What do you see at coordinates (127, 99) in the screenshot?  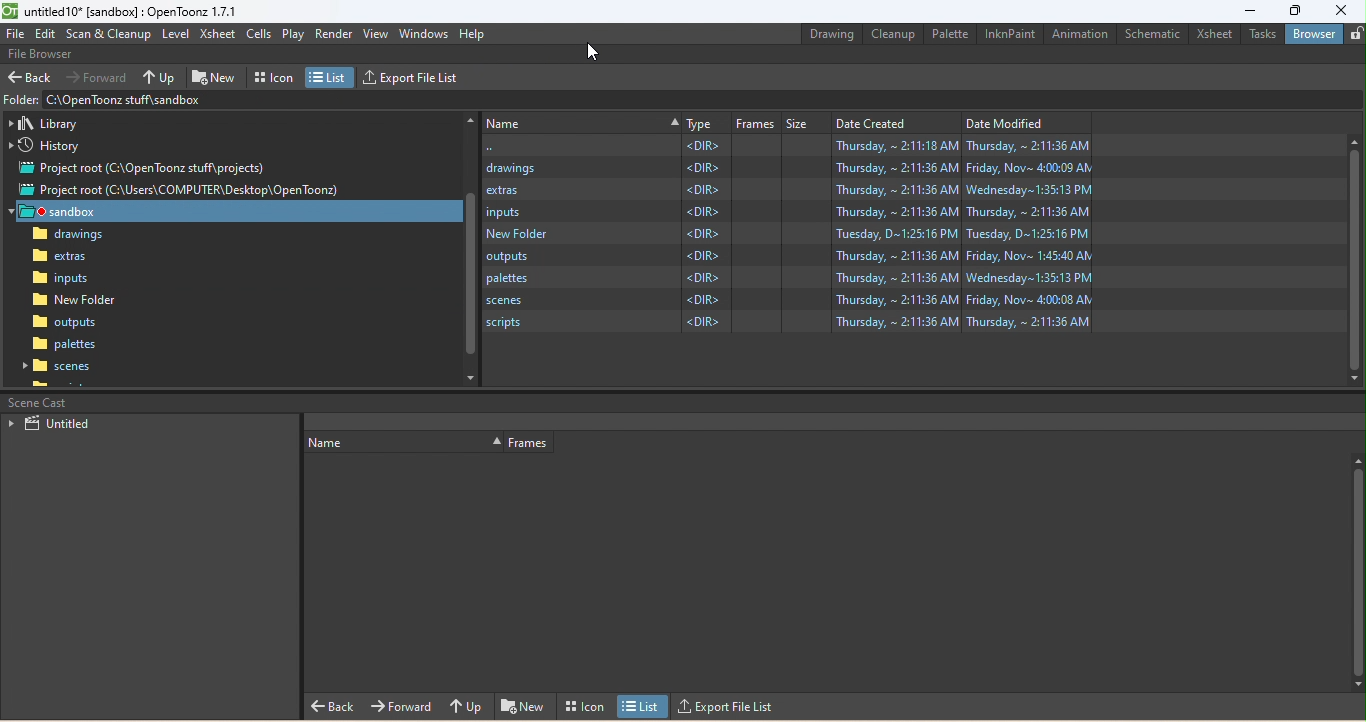 I see `Address bar` at bounding box center [127, 99].